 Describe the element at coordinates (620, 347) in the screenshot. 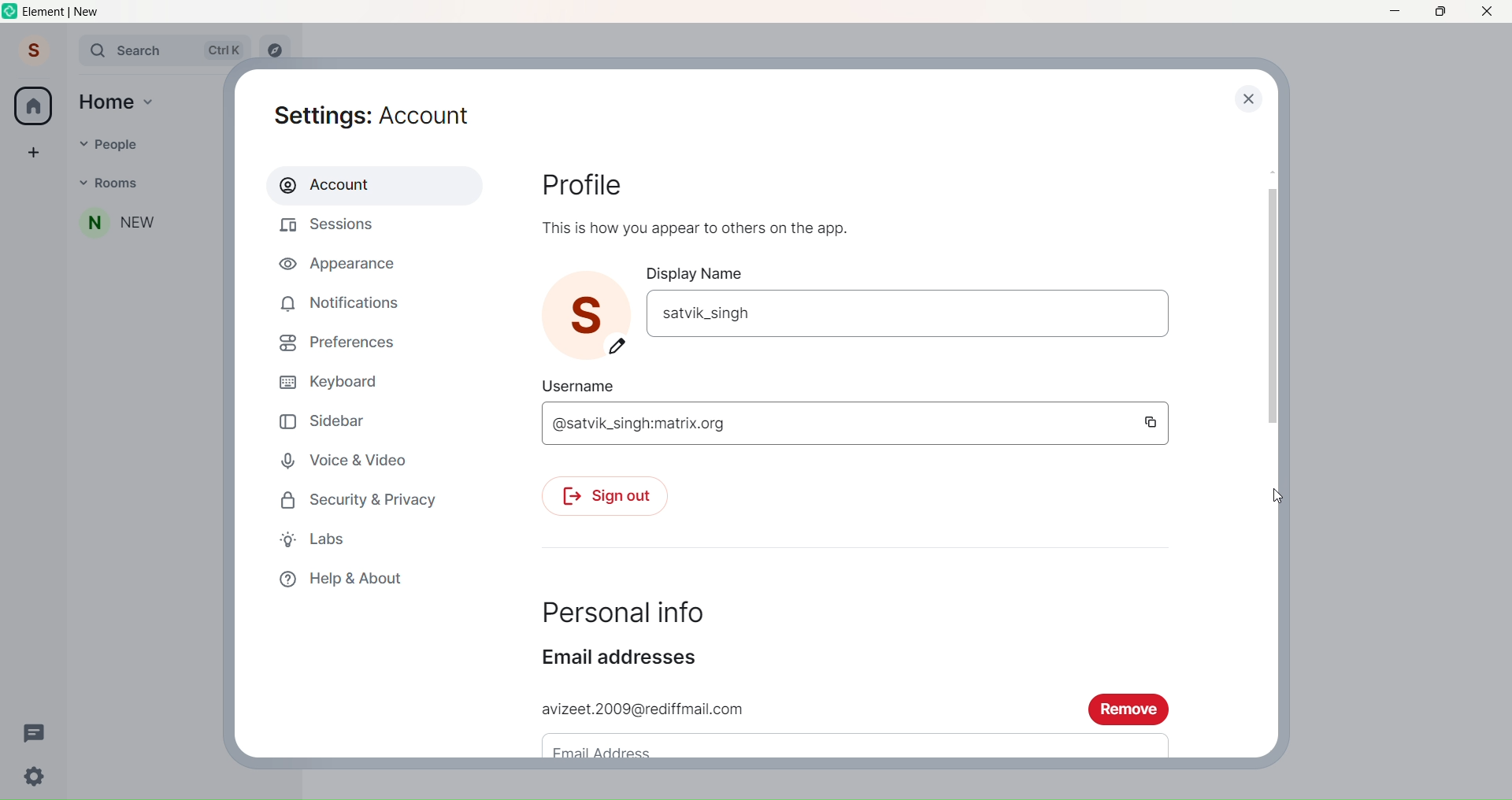

I see `Change Profile` at that location.